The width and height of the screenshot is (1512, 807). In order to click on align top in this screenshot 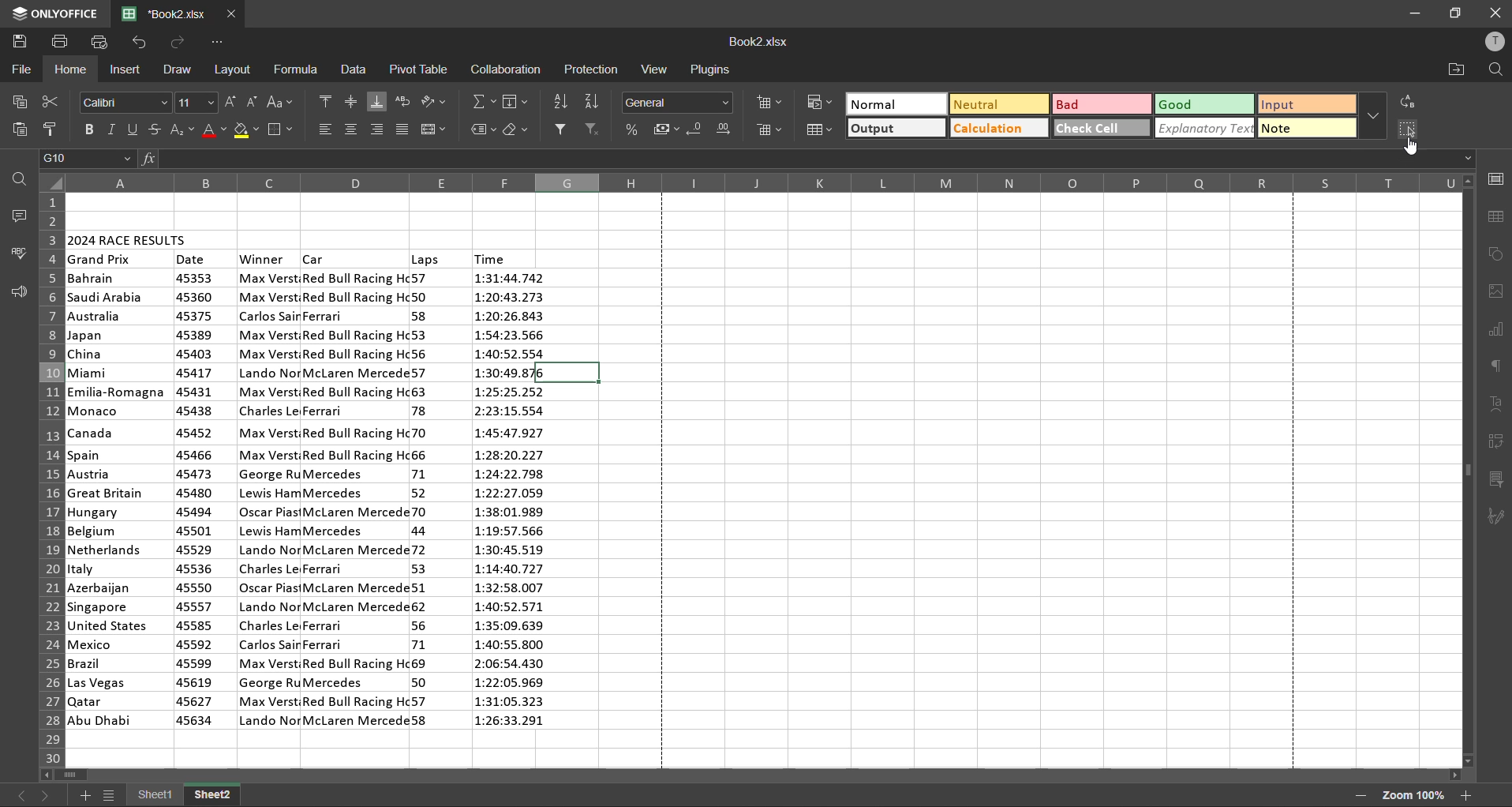, I will do `click(324, 102)`.